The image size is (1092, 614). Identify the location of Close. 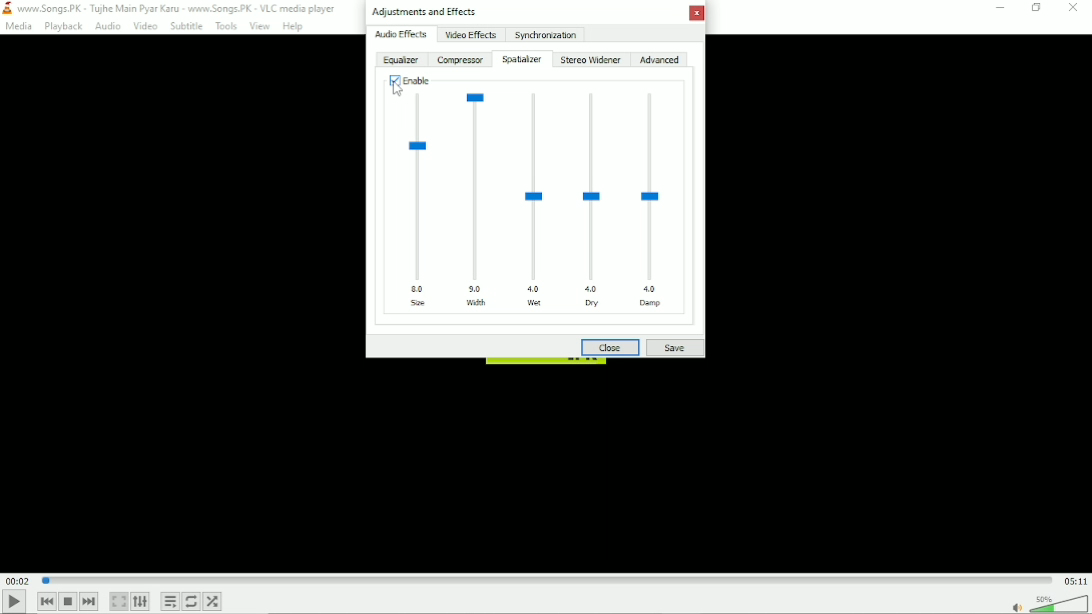
(611, 348).